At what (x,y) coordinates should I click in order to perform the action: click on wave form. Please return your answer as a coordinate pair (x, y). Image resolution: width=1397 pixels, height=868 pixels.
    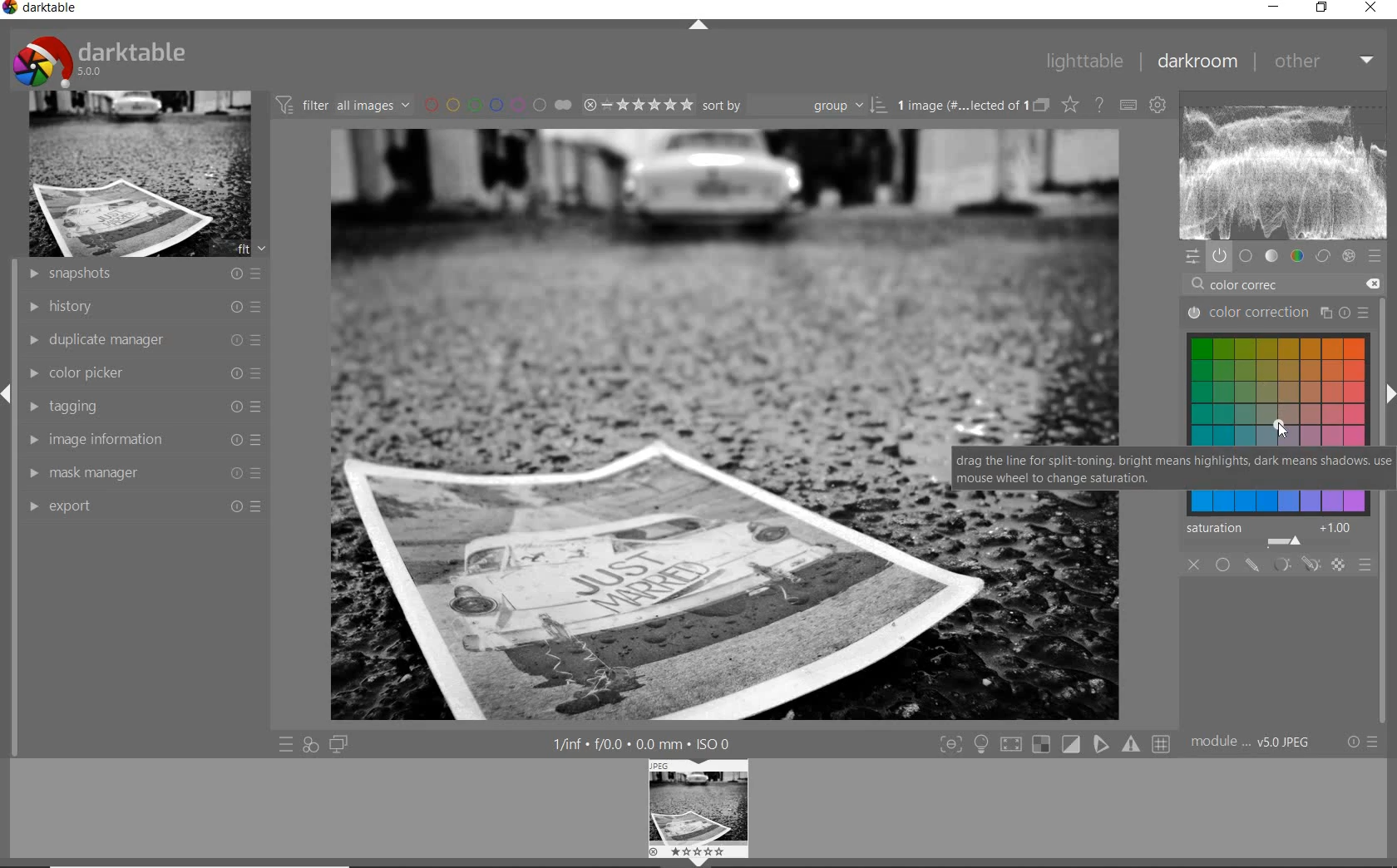
    Looking at the image, I should click on (1284, 167).